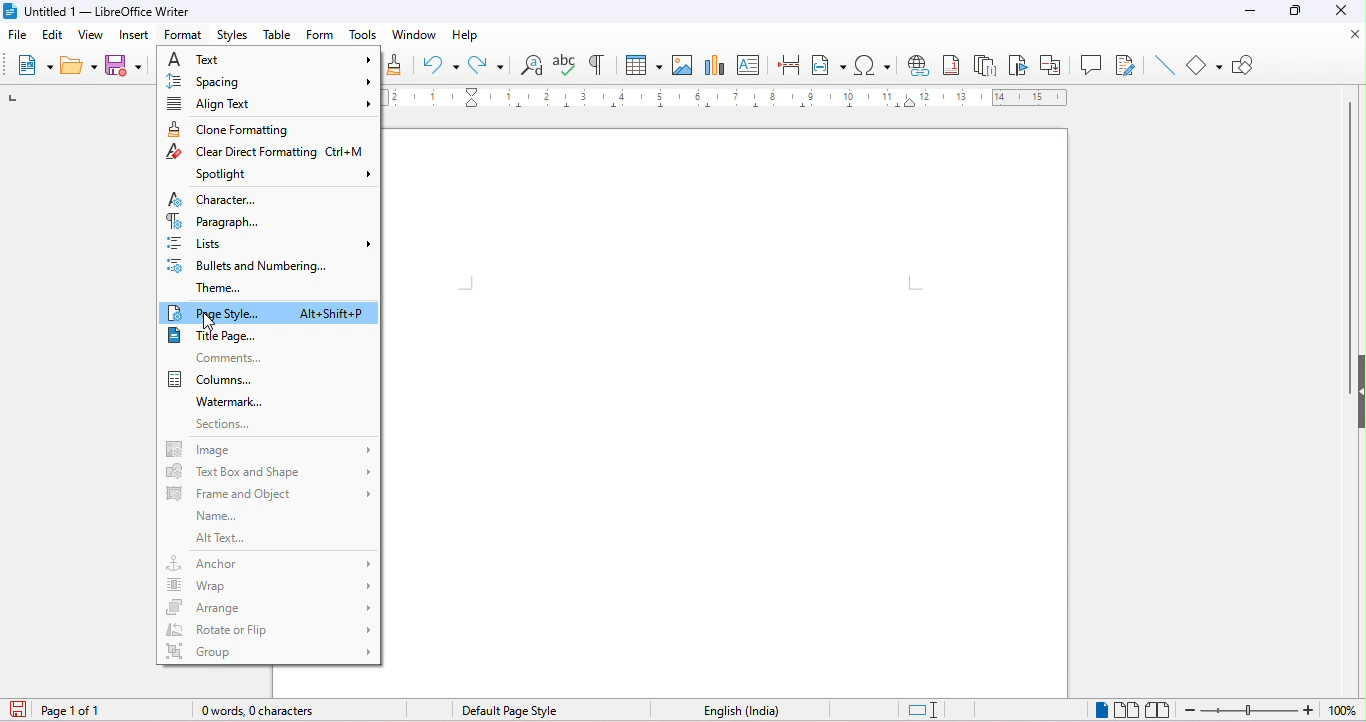 The image size is (1366, 722). Describe the element at coordinates (257, 153) in the screenshot. I see `clear direct formatting` at that location.